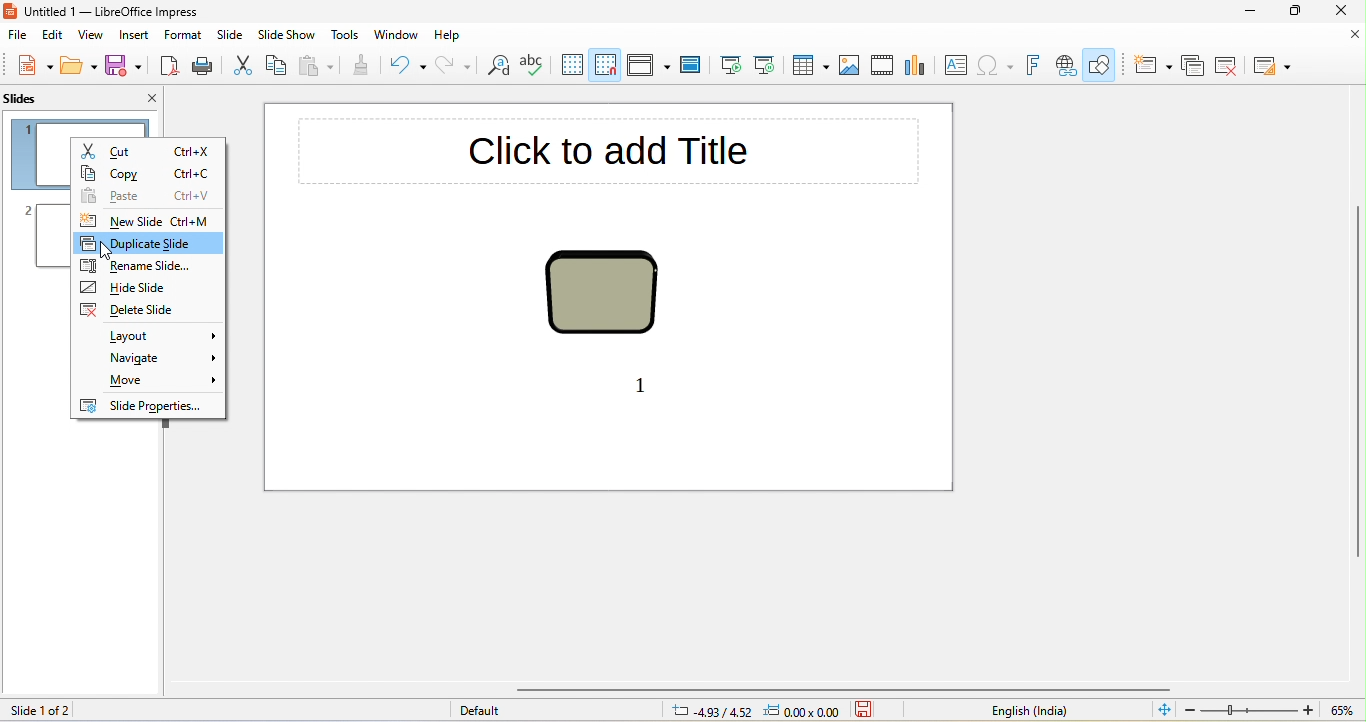 The image size is (1366, 722). Describe the element at coordinates (205, 69) in the screenshot. I see `print` at that location.